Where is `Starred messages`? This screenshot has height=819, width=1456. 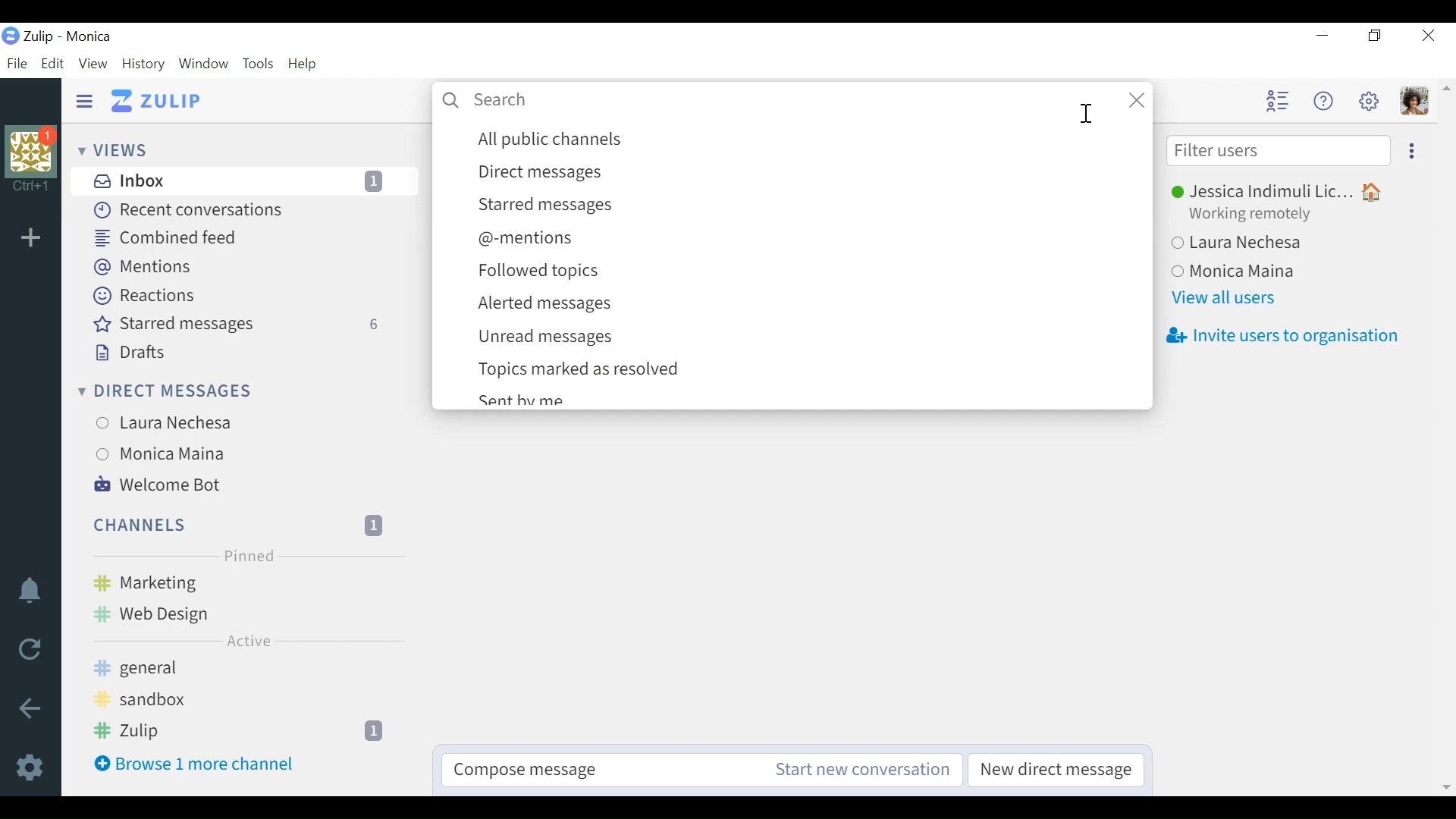
Starred messages is located at coordinates (803, 205).